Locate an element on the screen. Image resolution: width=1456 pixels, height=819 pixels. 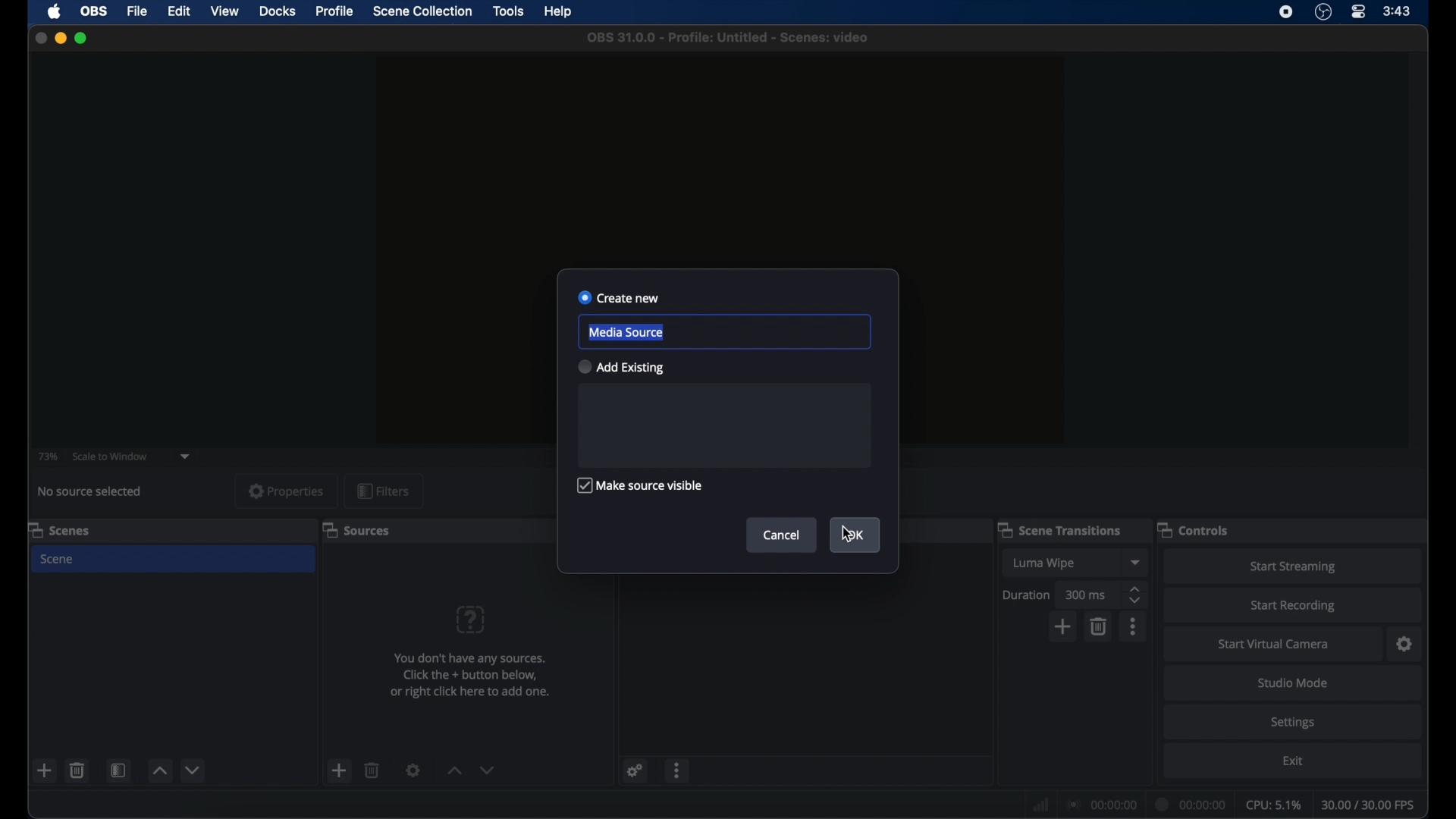
create new is located at coordinates (619, 298).